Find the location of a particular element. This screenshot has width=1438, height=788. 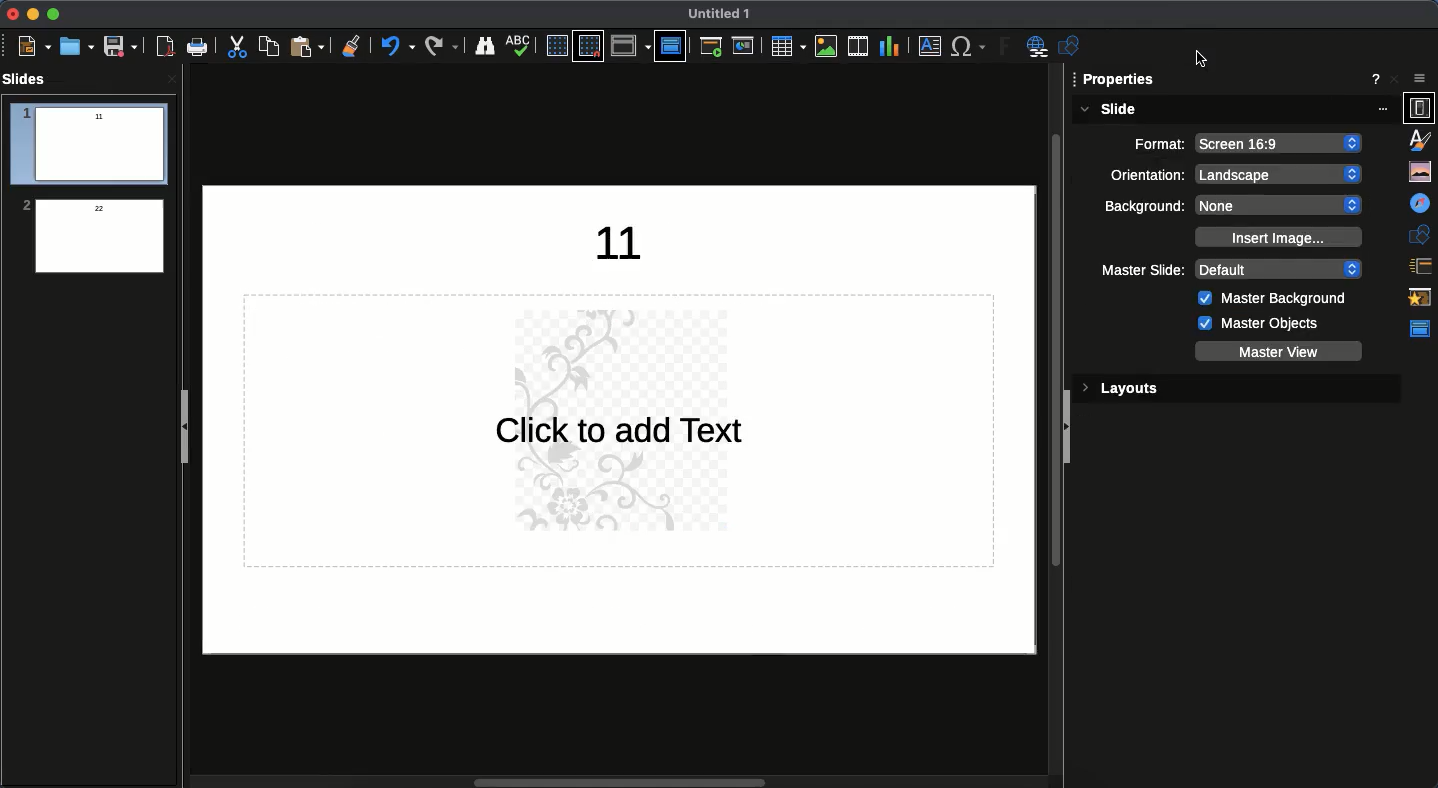

Collapse is located at coordinates (1073, 428).